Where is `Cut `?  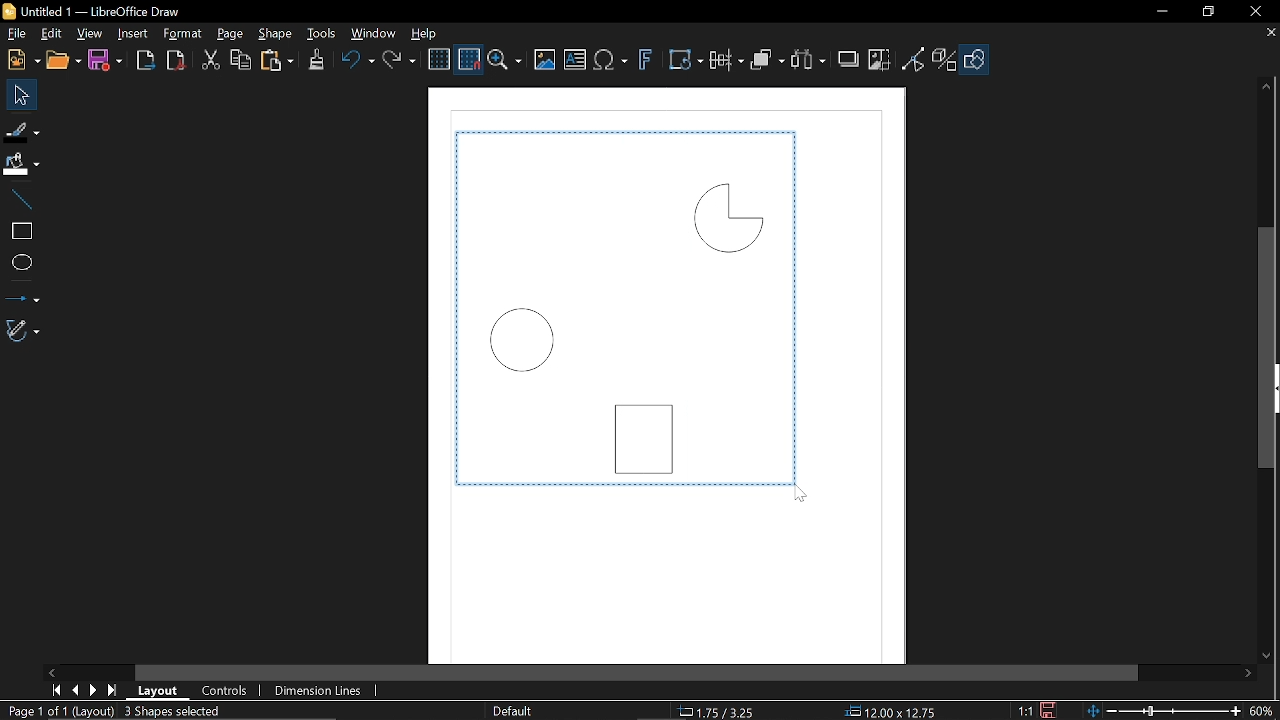 Cut  is located at coordinates (210, 60).